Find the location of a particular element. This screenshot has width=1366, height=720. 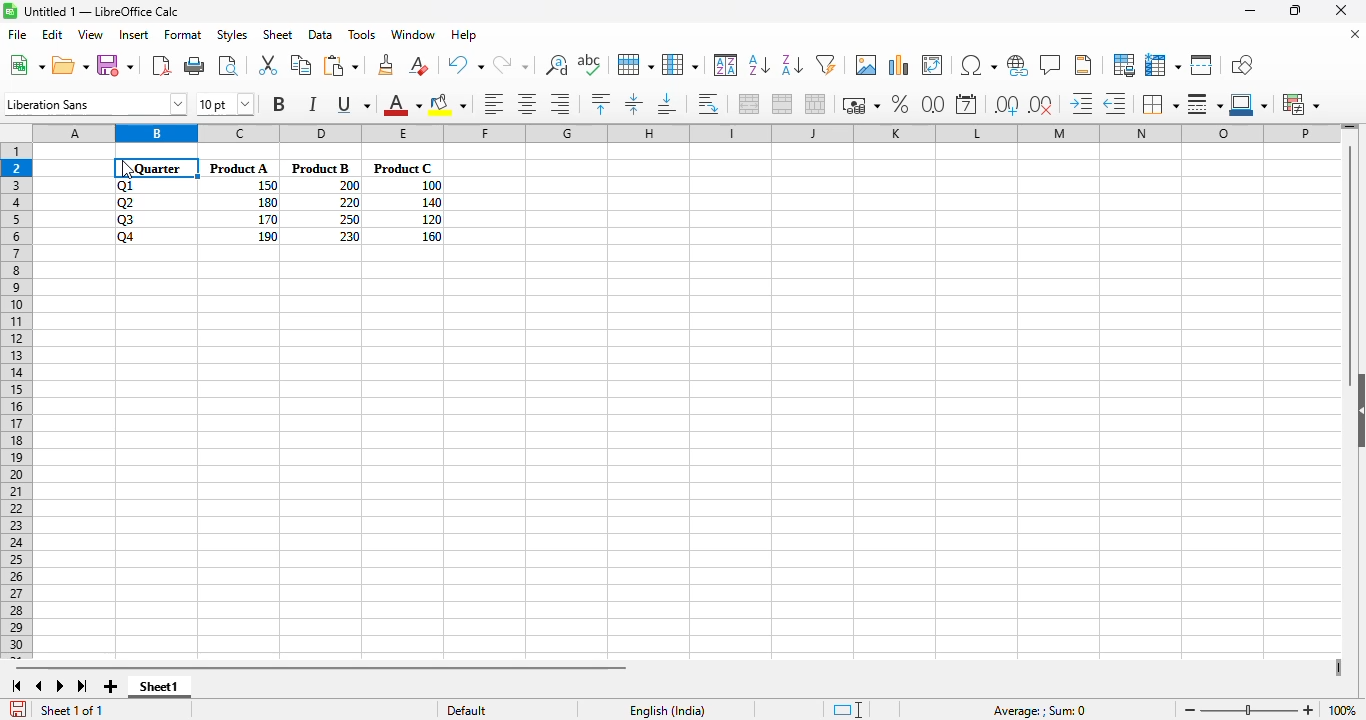

insert or edit pivot table is located at coordinates (933, 65).